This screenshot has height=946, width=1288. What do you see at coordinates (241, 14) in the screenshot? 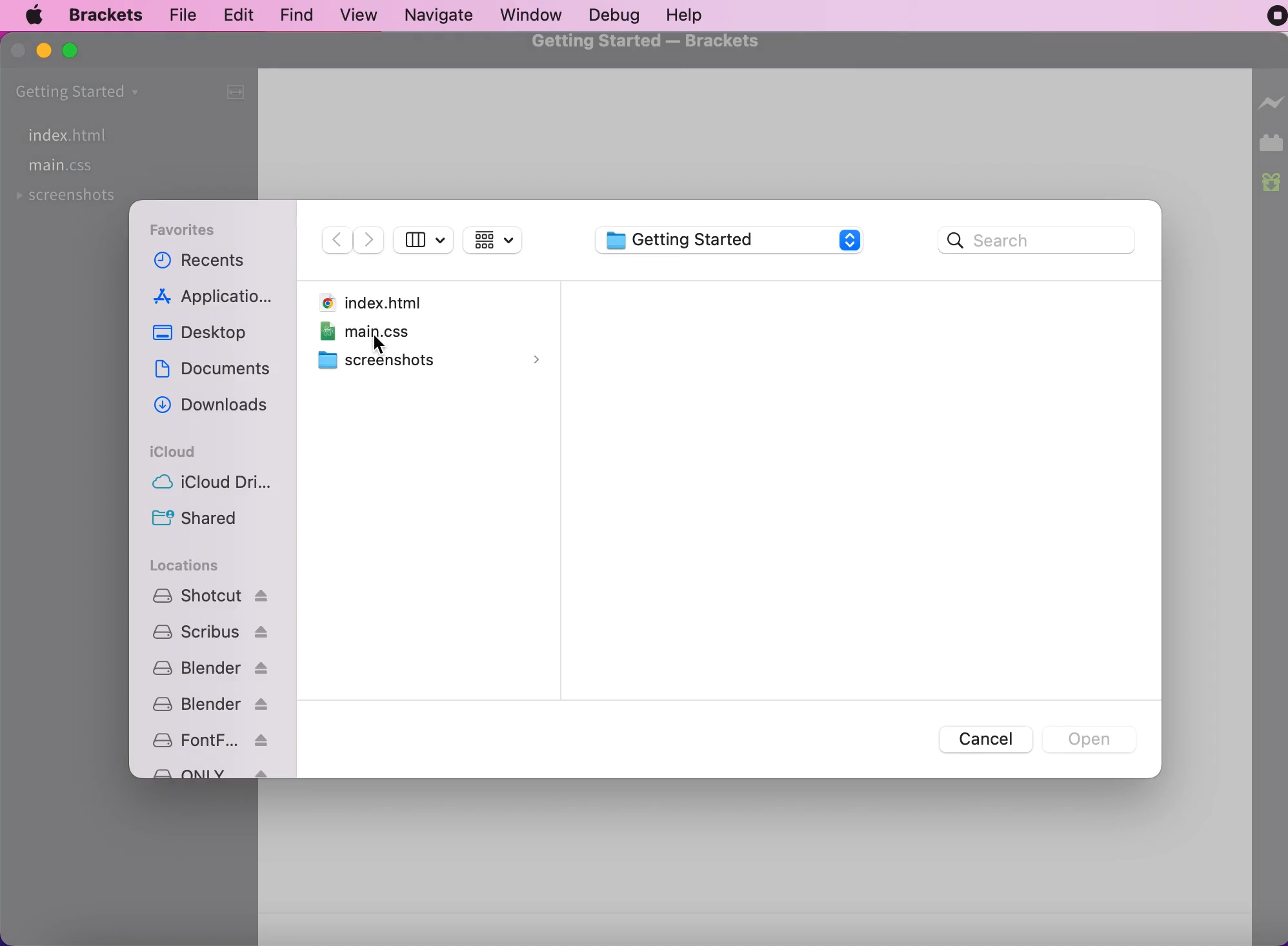
I see `edit` at bounding box center [241, 14].